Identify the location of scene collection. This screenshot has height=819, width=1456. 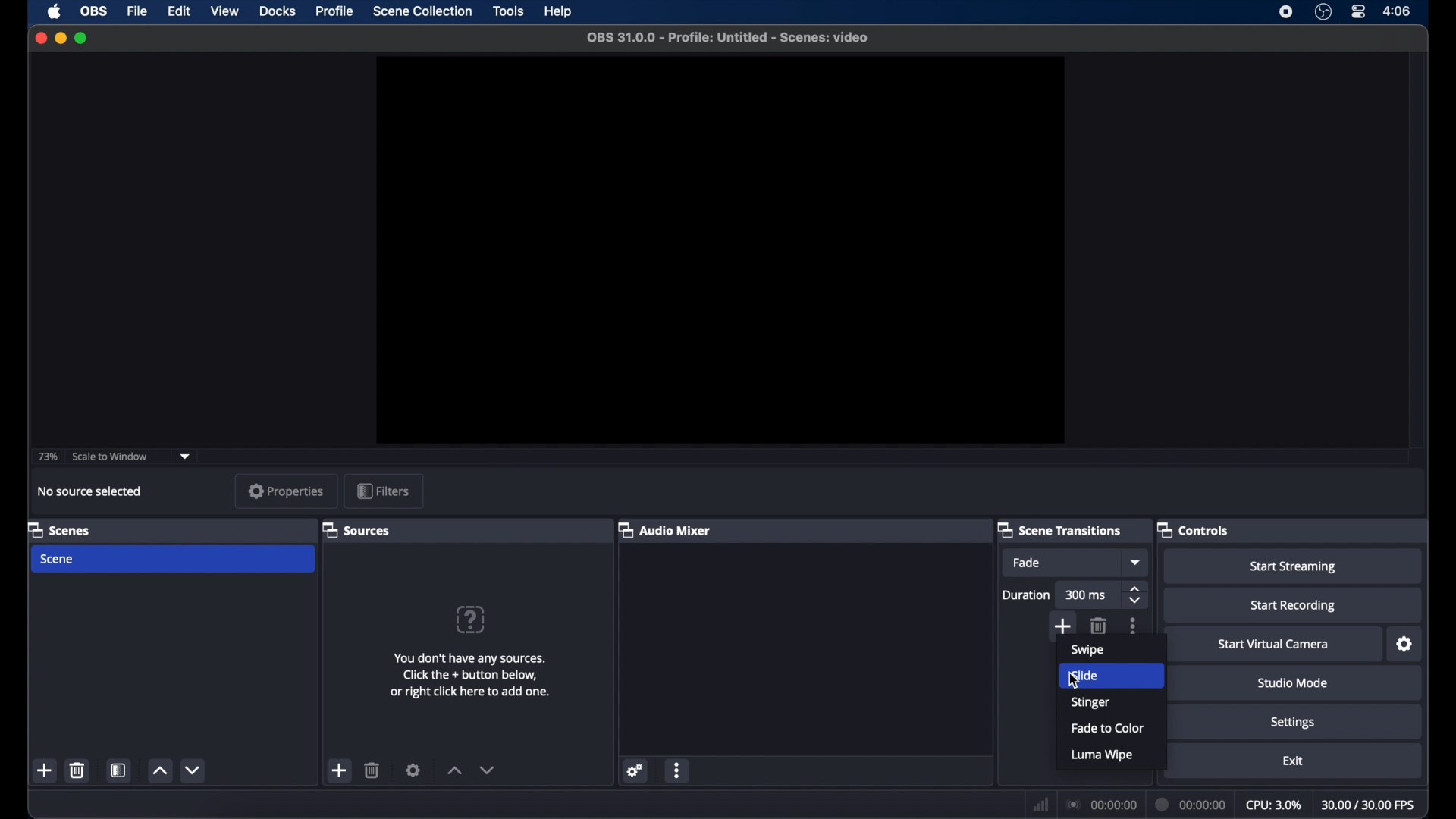
(422, 11).